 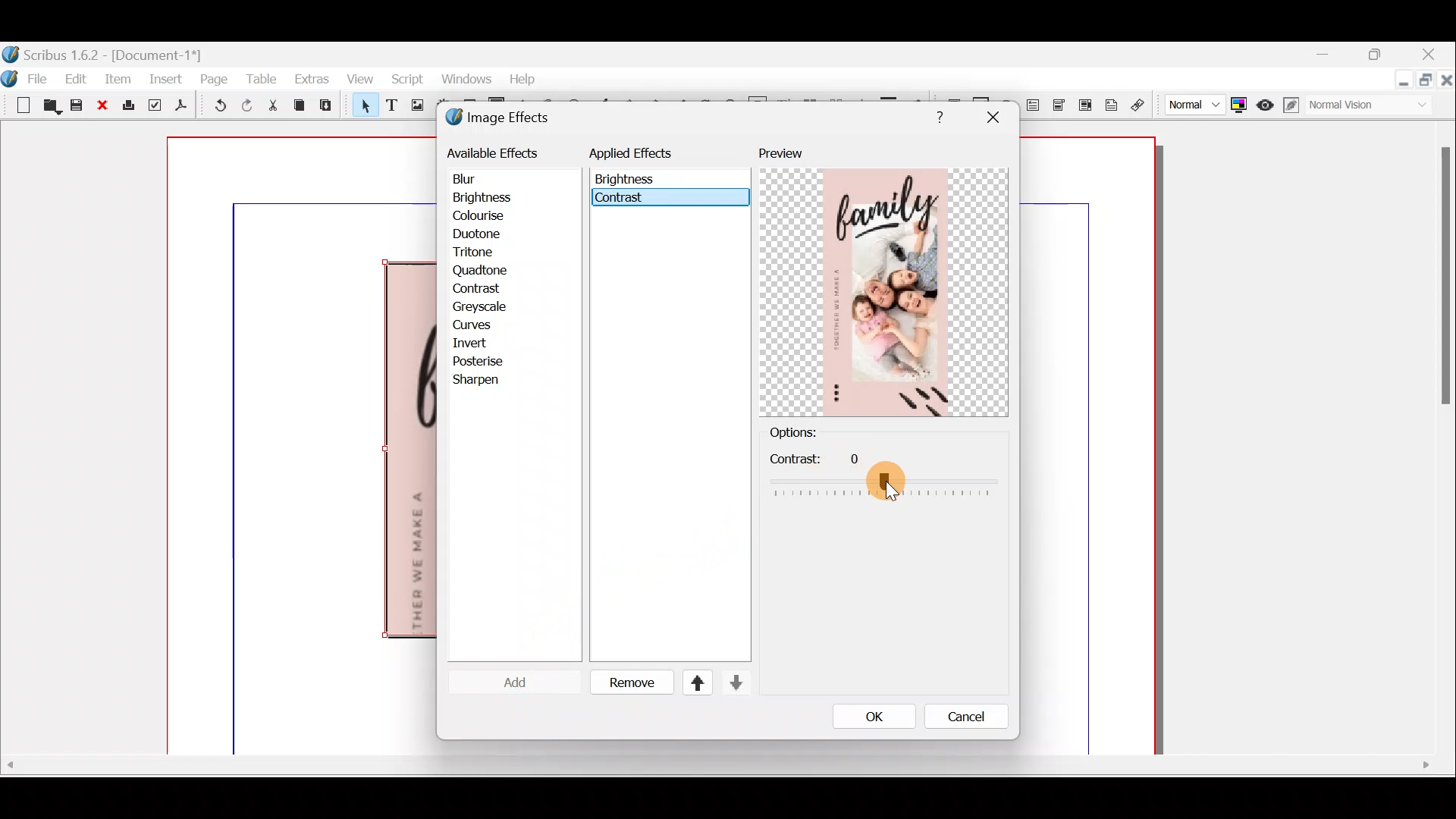 What do you see at coordinates (622, 200) in the screenshot?
I see `contrast` at bounding box center [622, 200].